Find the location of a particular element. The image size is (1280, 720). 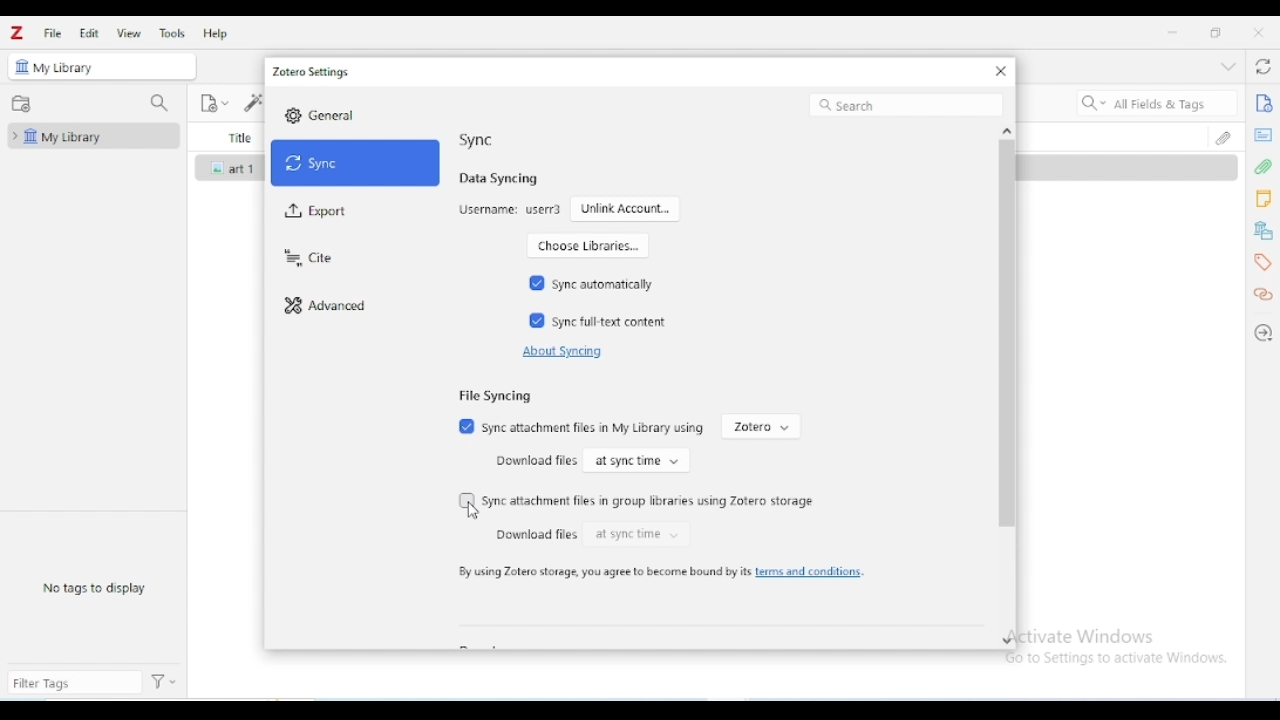

maximize is located at coordinates (1215, 32).